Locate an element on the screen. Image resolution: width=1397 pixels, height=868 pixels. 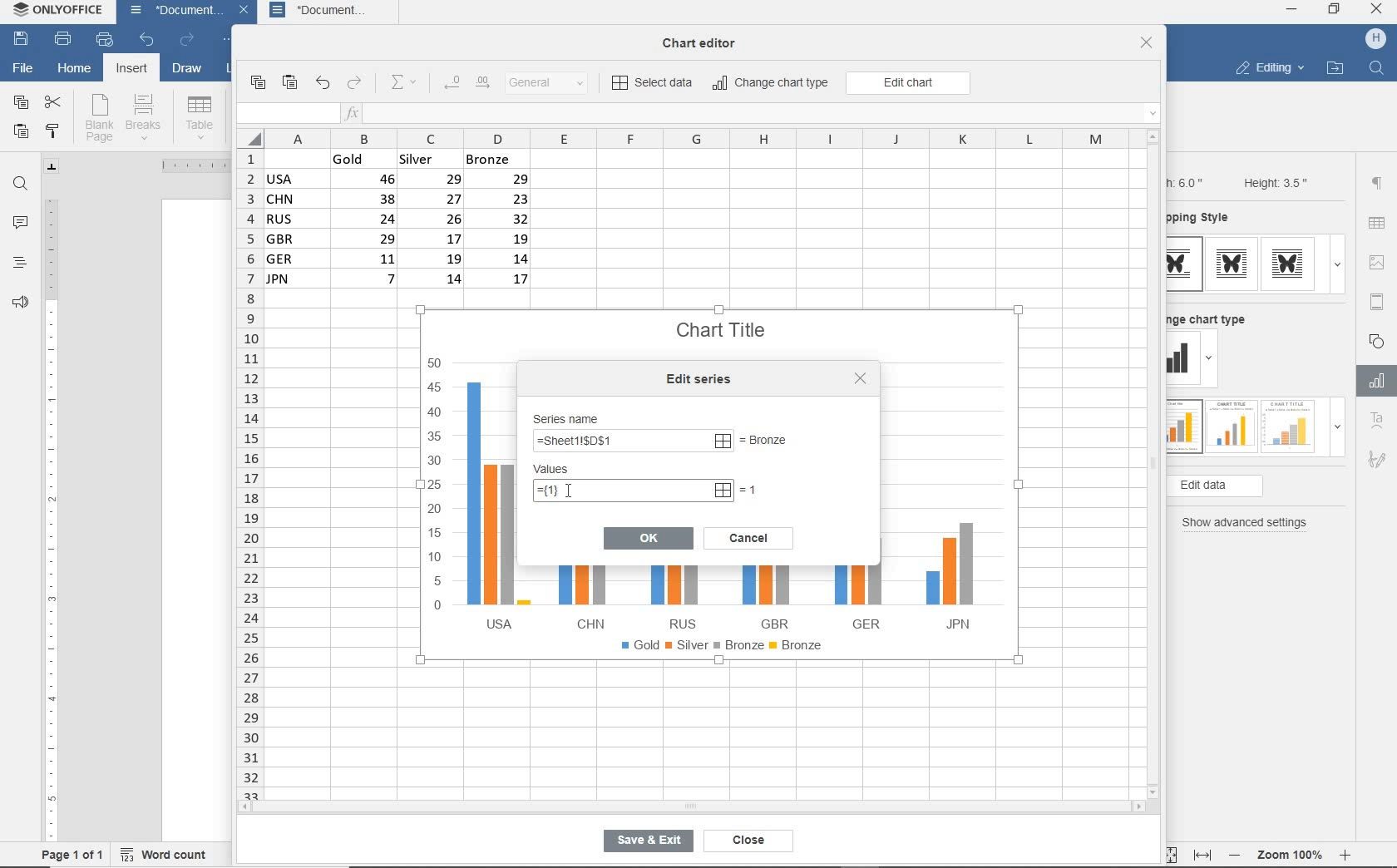
horizontal scroll bar is located at coordinates (690, 806).